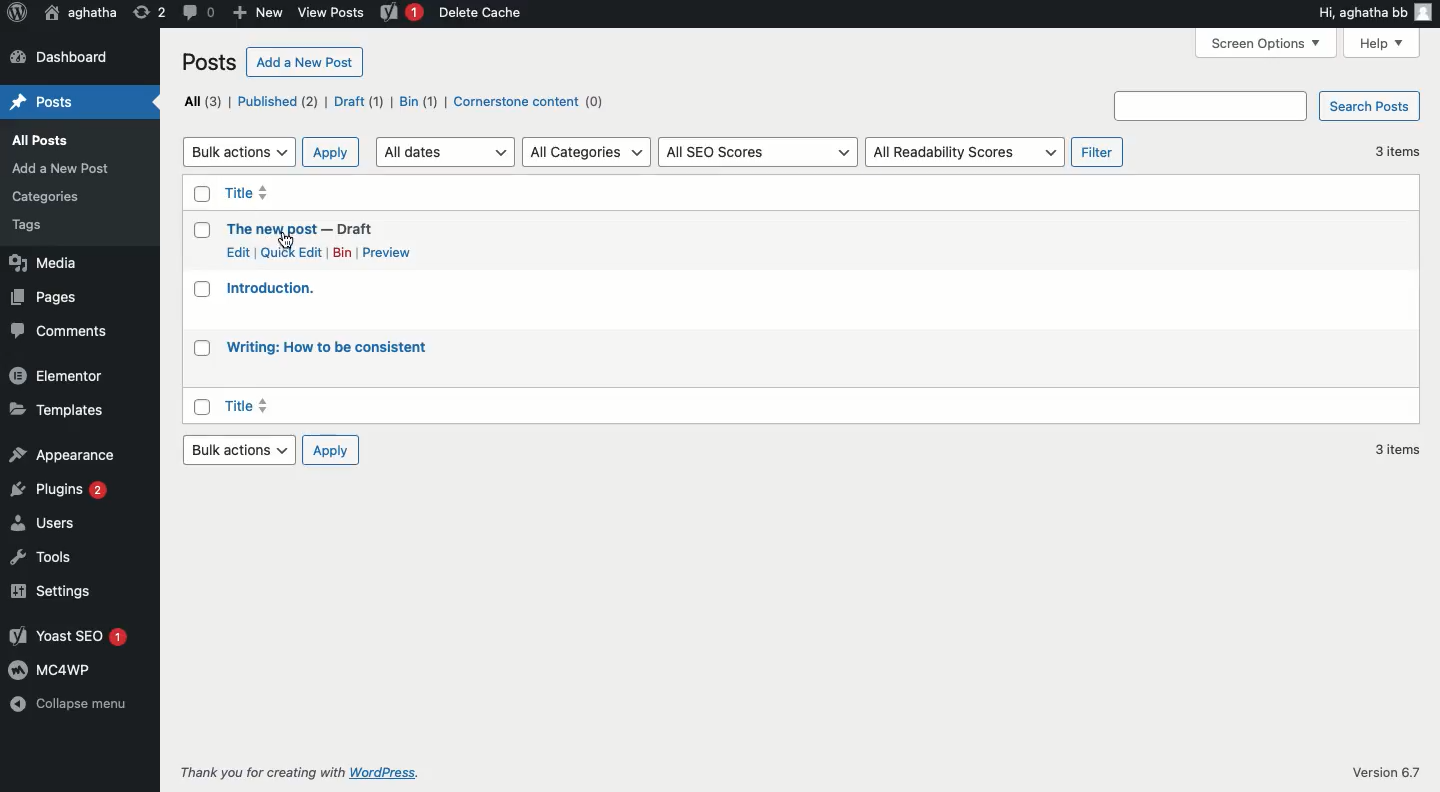  Describe the element at coordinates (59, 376) in the screenshot. I see `Elementor` at that location.